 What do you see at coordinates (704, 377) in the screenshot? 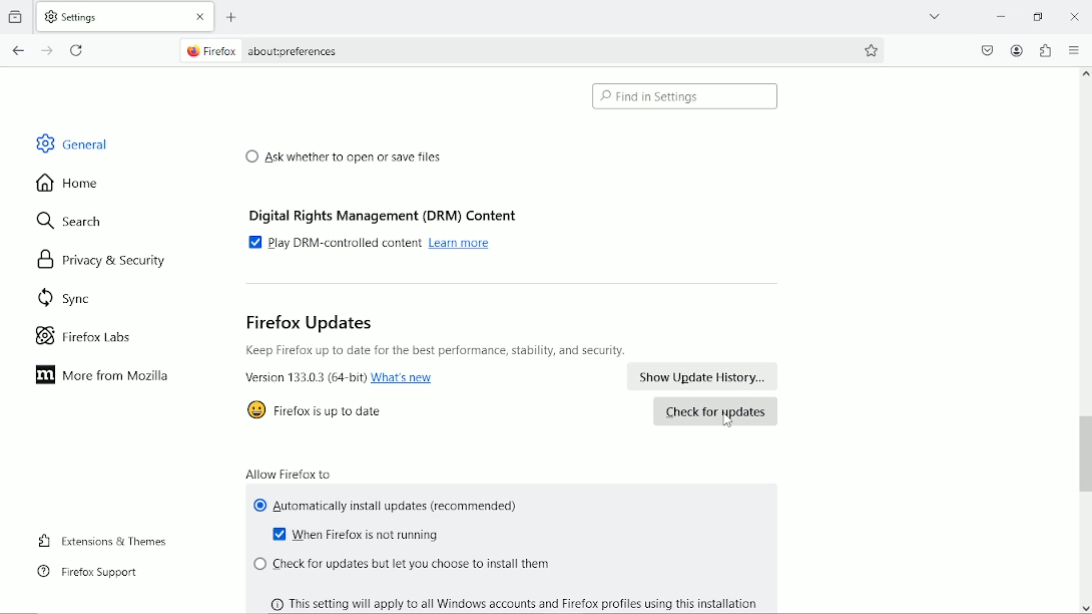
I see `show update history` at bounding box center [704, 377].